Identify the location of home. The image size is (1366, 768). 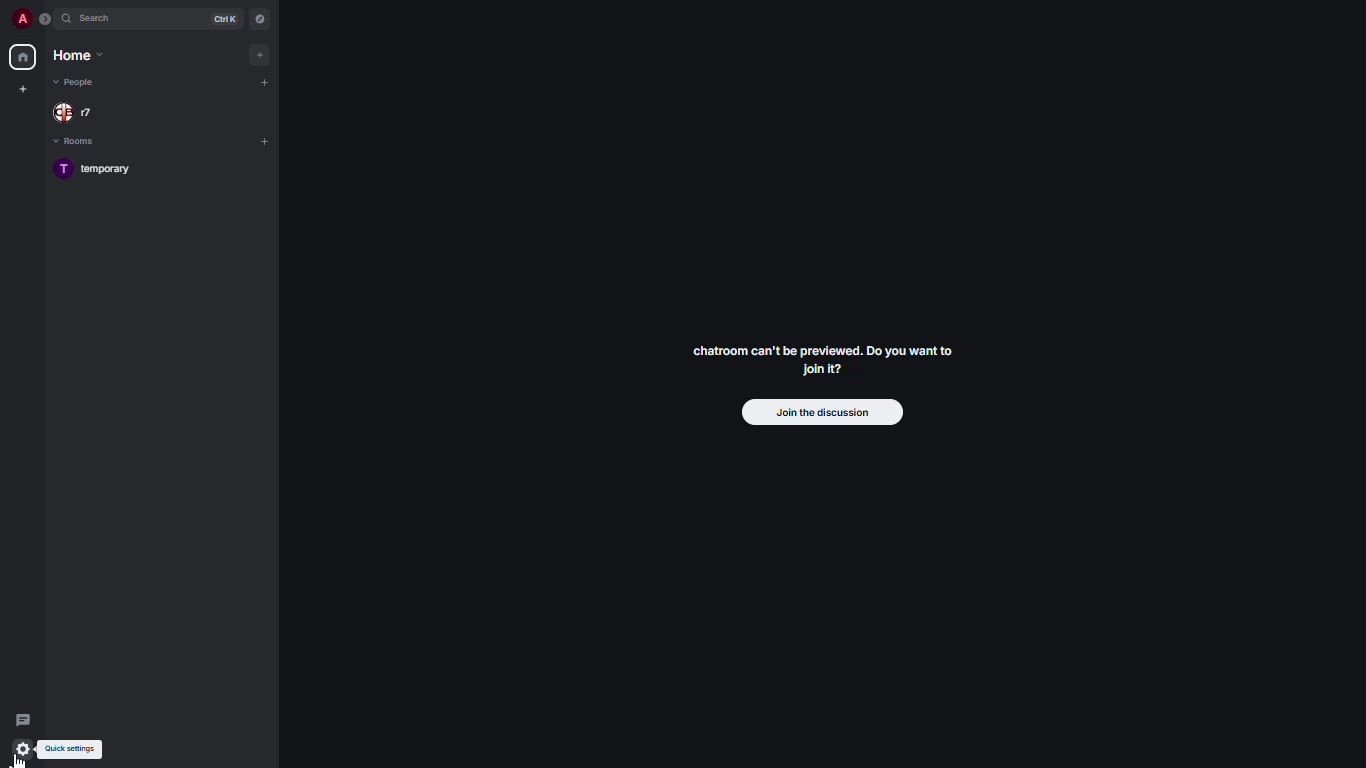
(82, 55).